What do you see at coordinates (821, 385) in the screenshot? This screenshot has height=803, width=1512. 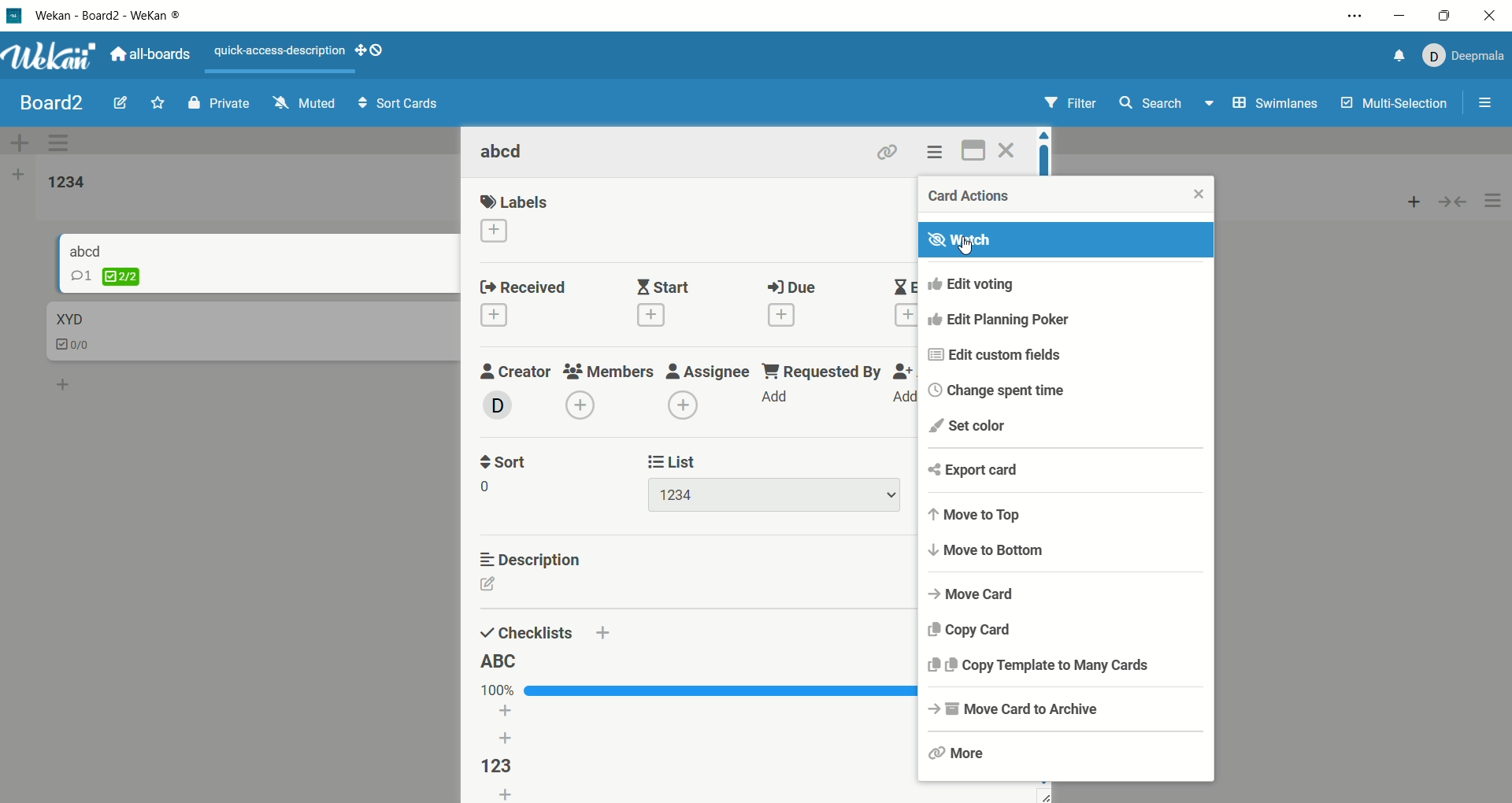 I see `requested by` at bounding box center [821, 385].